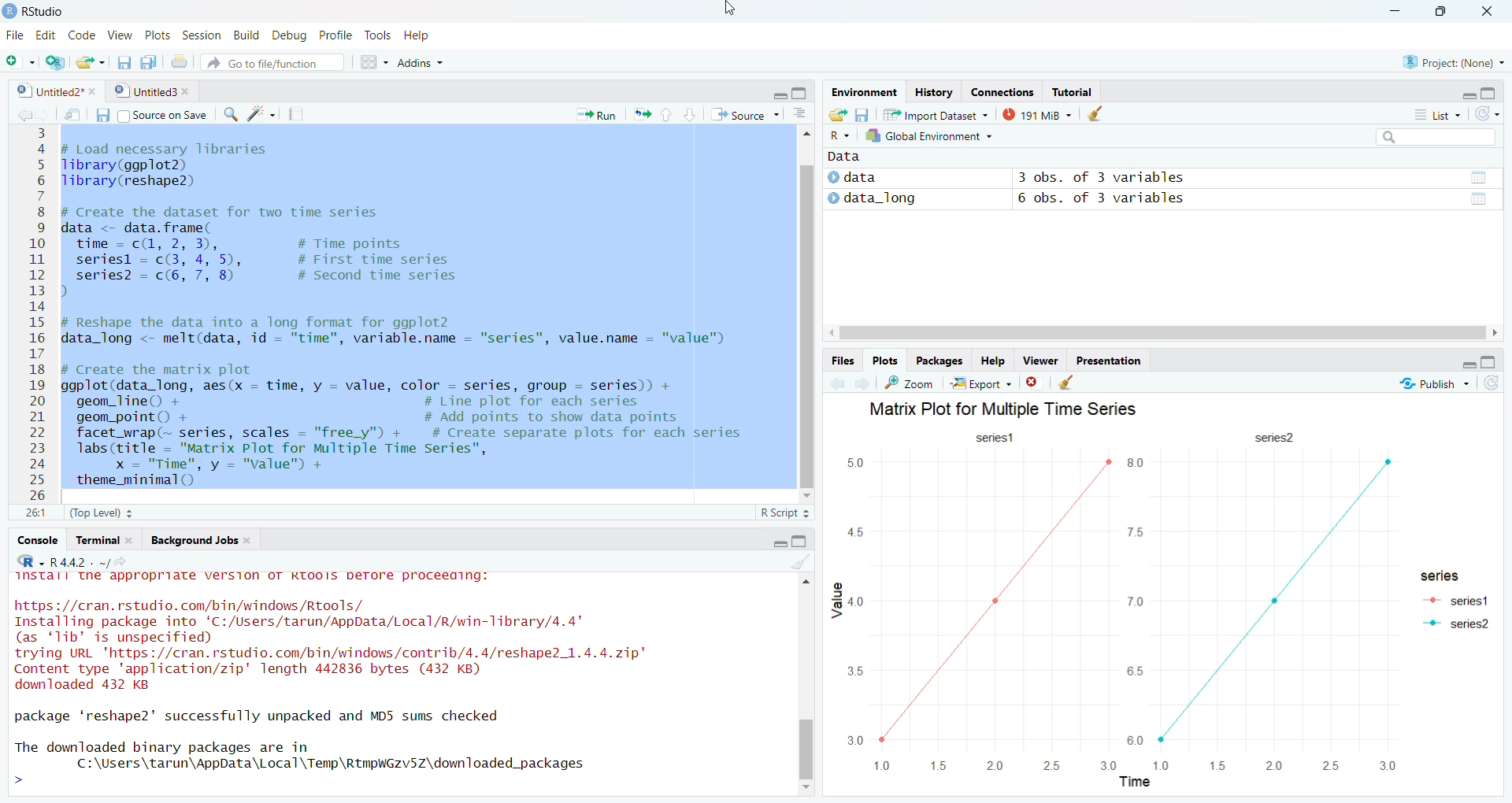 Image resolution: width=1512 pixels, height=803 pixels. I want to click on # Load necessary libraries
Tibrary(ggplot2)
Tibrary(reshape2)
# Create the dataset for two time series
data <- data.frame(
Tlie = Gl, 2; I # Time points
seriesl = c(3, 4, 5), # First time series
series? = c(6, 7, 8) # Second time series
)
# Reshape the data into a long format for ggplot2
data_long <- melt(data, id = "time", variable.name = "series", value.name = "value")
# Create the matrix plot
ggplot(data_long, aes(x - time, y — value, color — series, group — series)) +
geom_line() + # Line plot for each series
geom_point() + # Add points to show data points
facet_wrap(~ series, scales = "free_y") + # Create separate plots for each series
labs (title = "Matrix Plot for Multiple Time Series",
x = "Time", y = "value" +
theme minimal (), so click(402, 312).